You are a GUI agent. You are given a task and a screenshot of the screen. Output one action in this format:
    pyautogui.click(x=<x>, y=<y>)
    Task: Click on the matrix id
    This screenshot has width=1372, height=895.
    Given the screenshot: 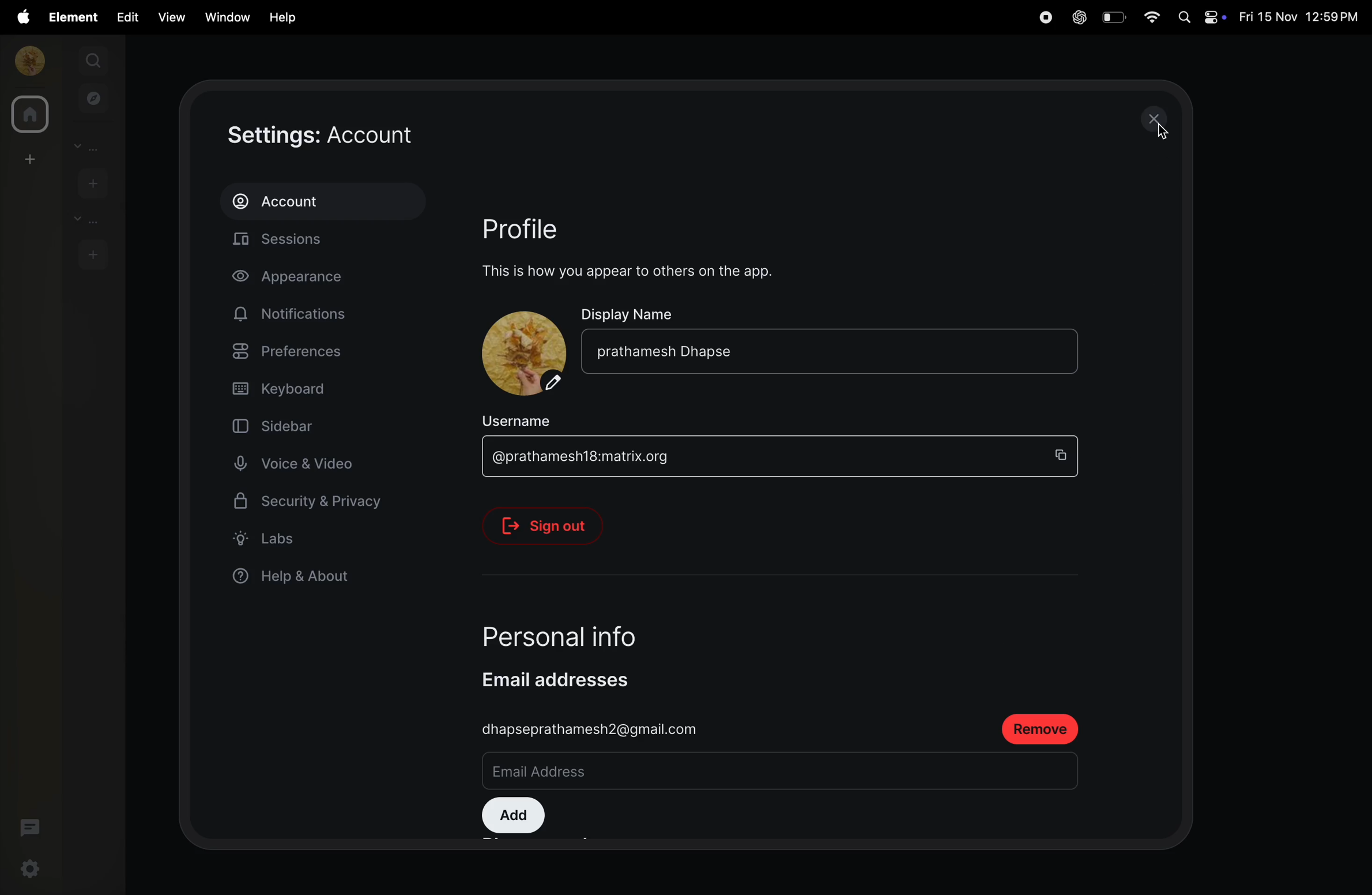 What is the action you would take?
    pyautogui.click(x=588, y=456)
    